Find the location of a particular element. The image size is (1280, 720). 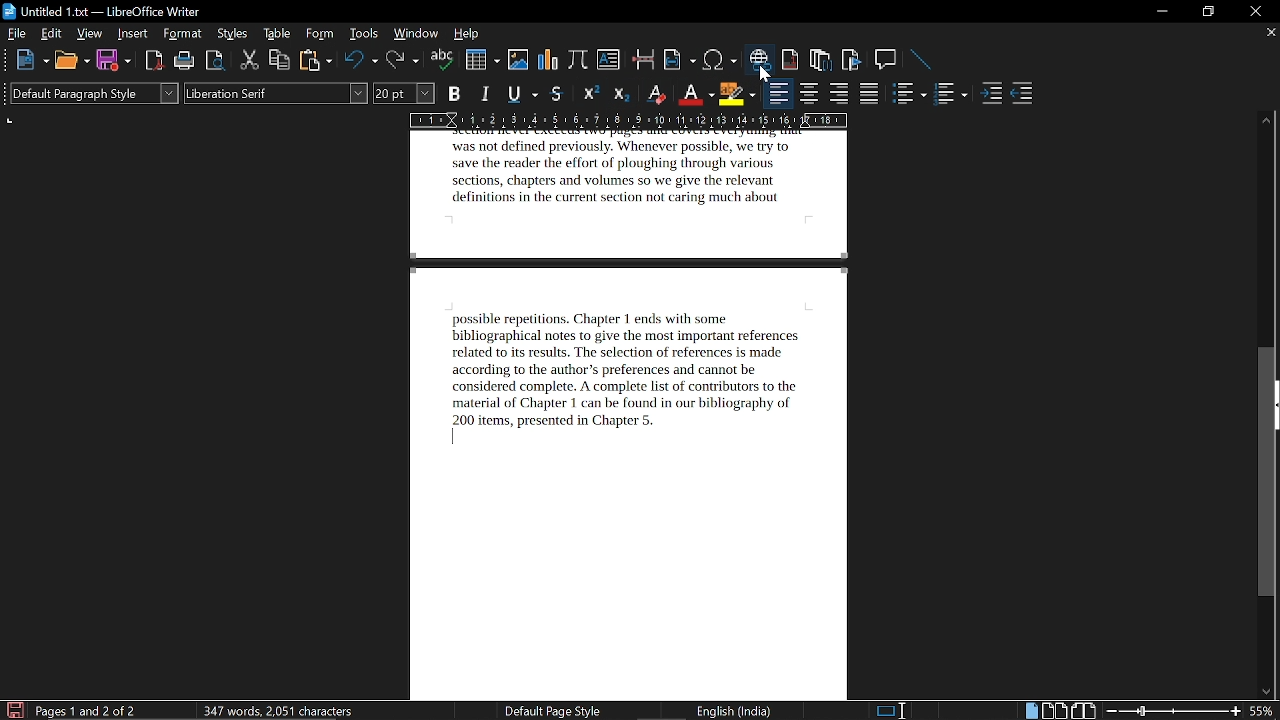

decrease indent is located at coordinates (1023, 97).